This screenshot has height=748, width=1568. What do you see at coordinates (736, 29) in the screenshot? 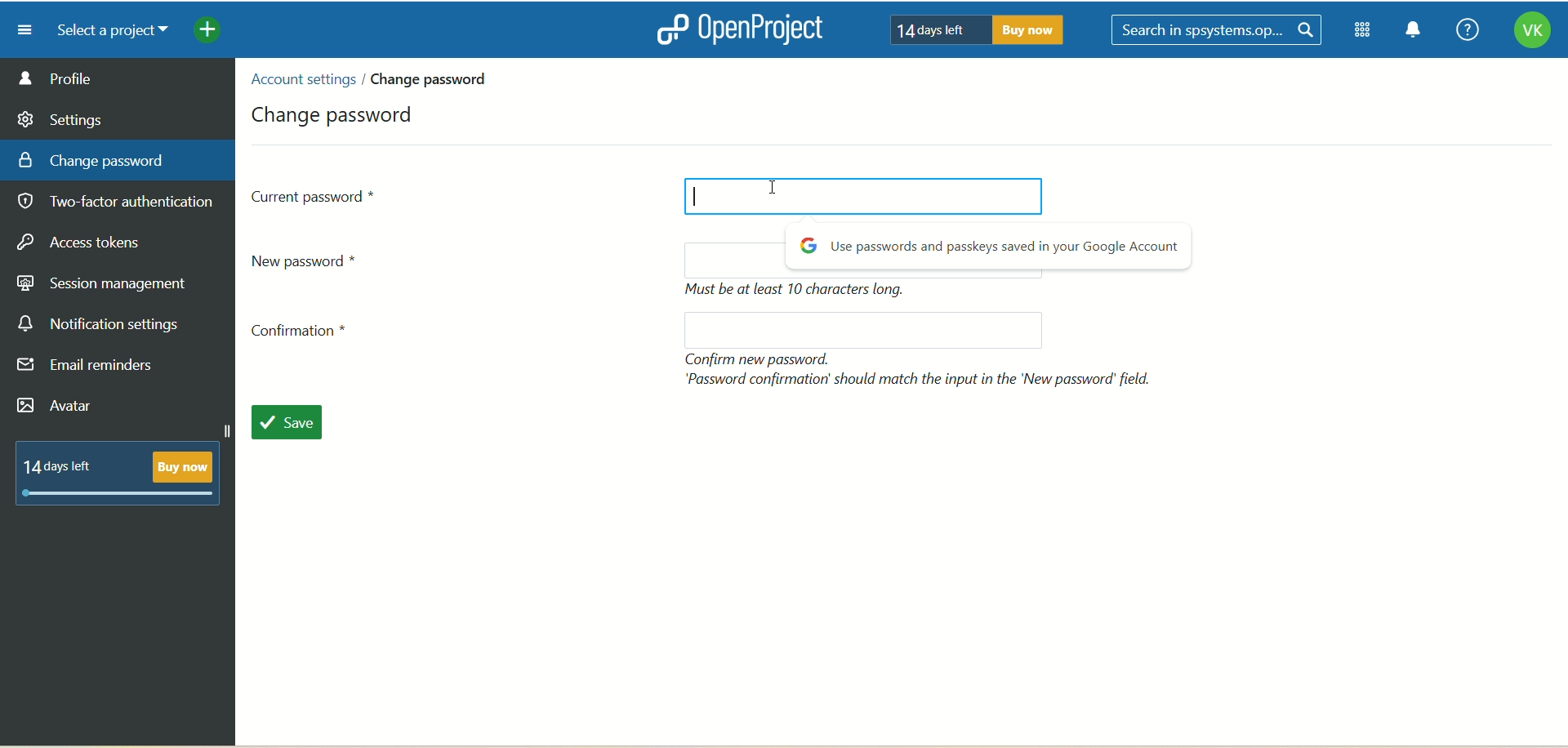
I see `openproject` at bounding box center [736, 29].